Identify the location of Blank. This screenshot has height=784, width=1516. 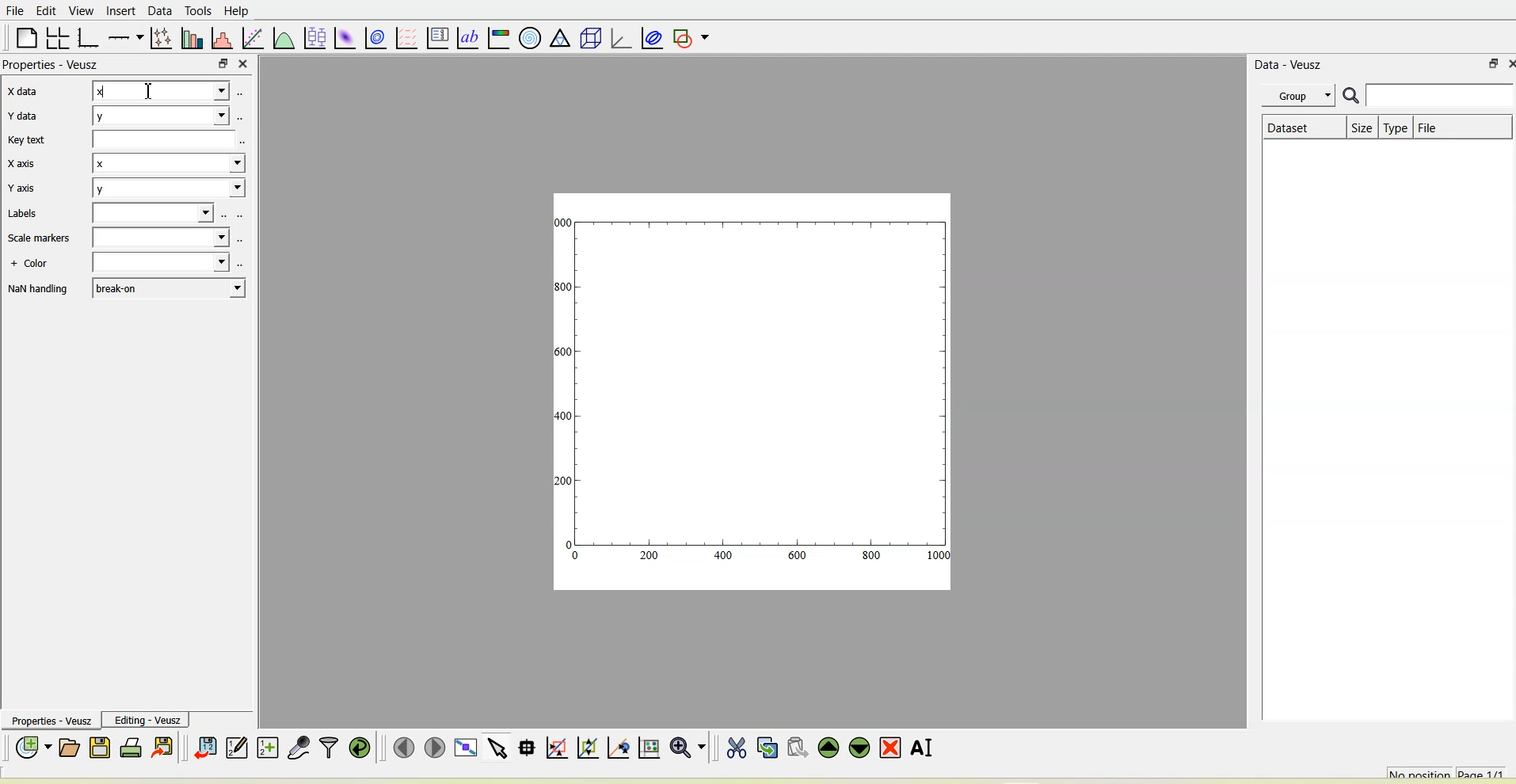
(160, 261).